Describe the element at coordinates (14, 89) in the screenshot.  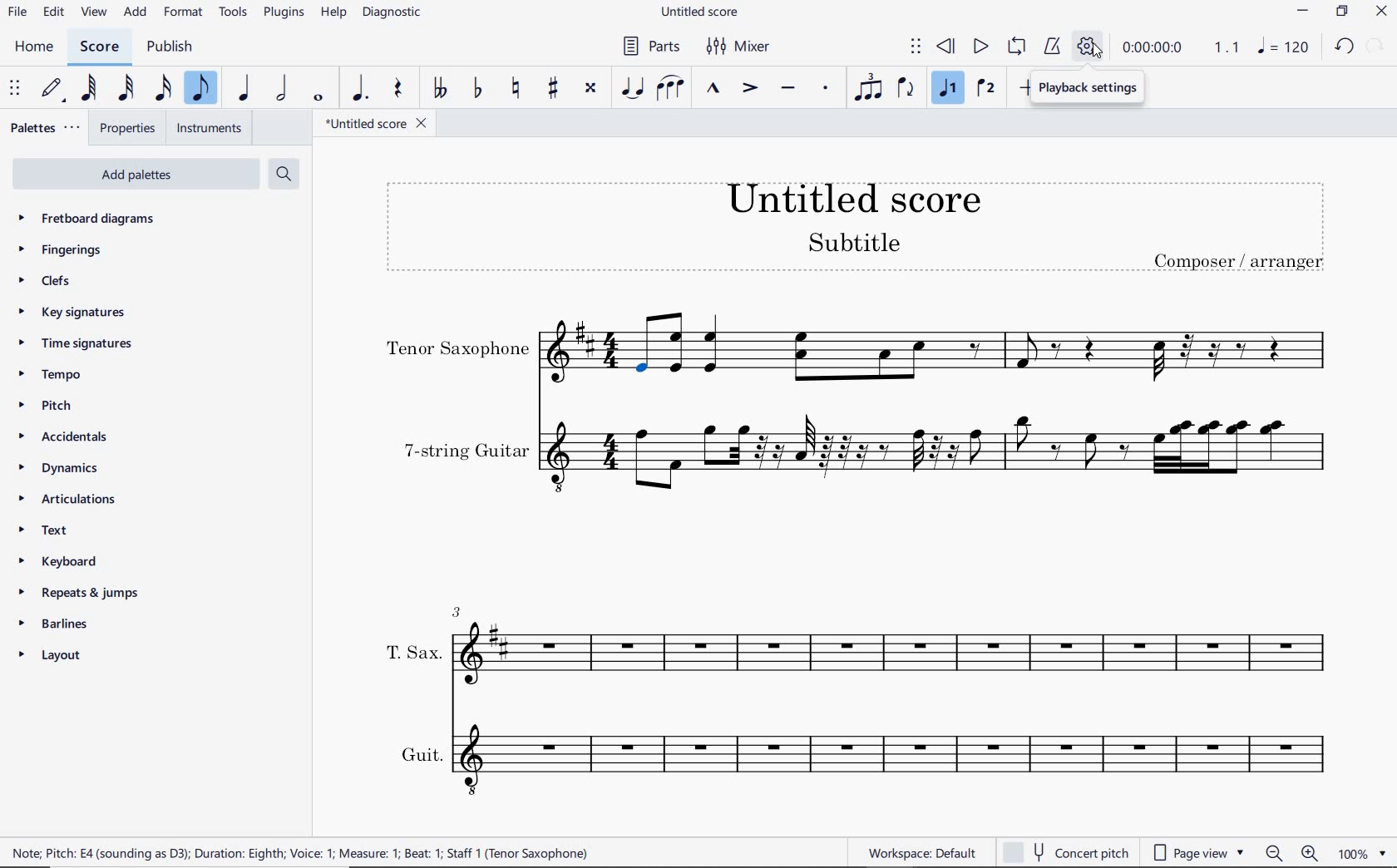
I see `SELECET TO MOVE` at that location.